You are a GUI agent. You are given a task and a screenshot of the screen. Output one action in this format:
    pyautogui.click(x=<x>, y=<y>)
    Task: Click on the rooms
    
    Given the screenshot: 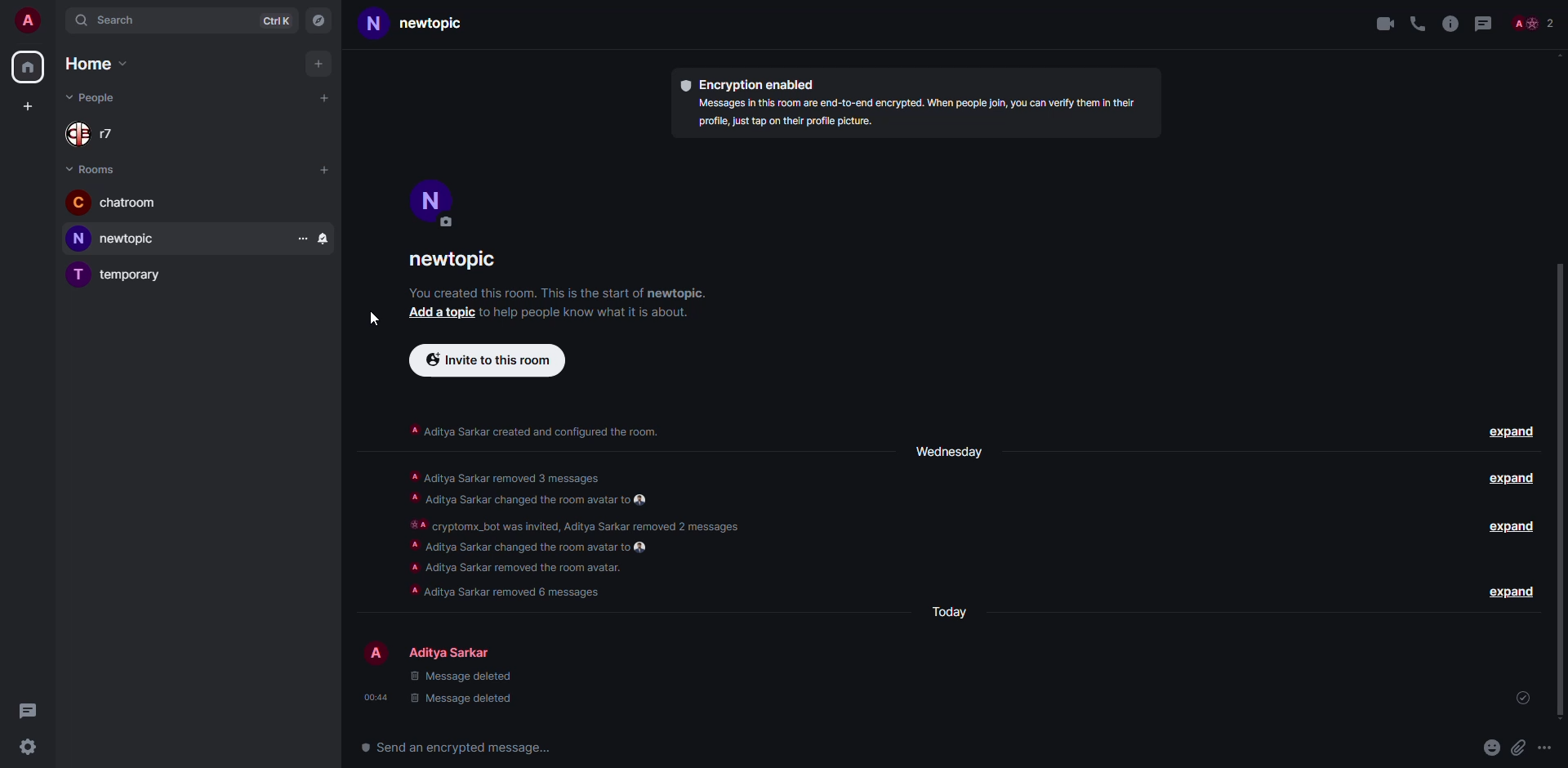 What is the action you would take?
    pyautogui.click(x=94, y=169)
    